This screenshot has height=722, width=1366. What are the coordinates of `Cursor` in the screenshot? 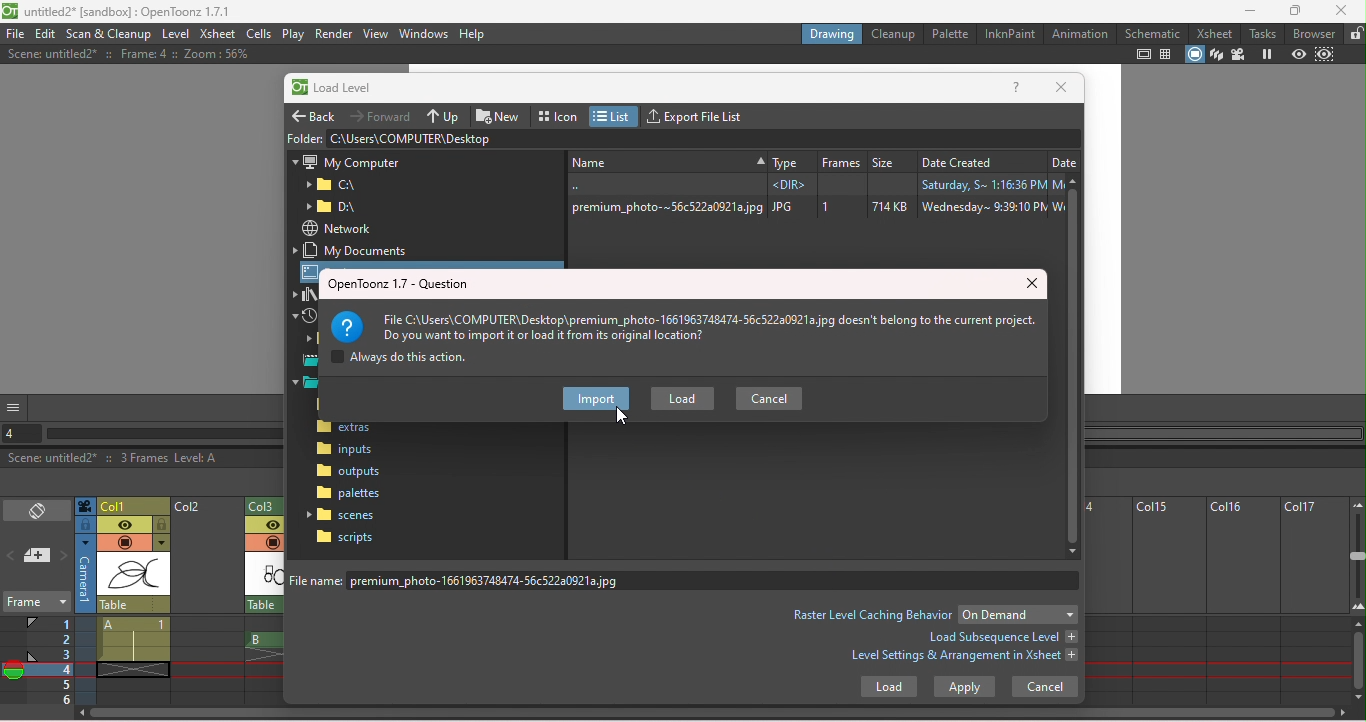 It's located at (621, 417).